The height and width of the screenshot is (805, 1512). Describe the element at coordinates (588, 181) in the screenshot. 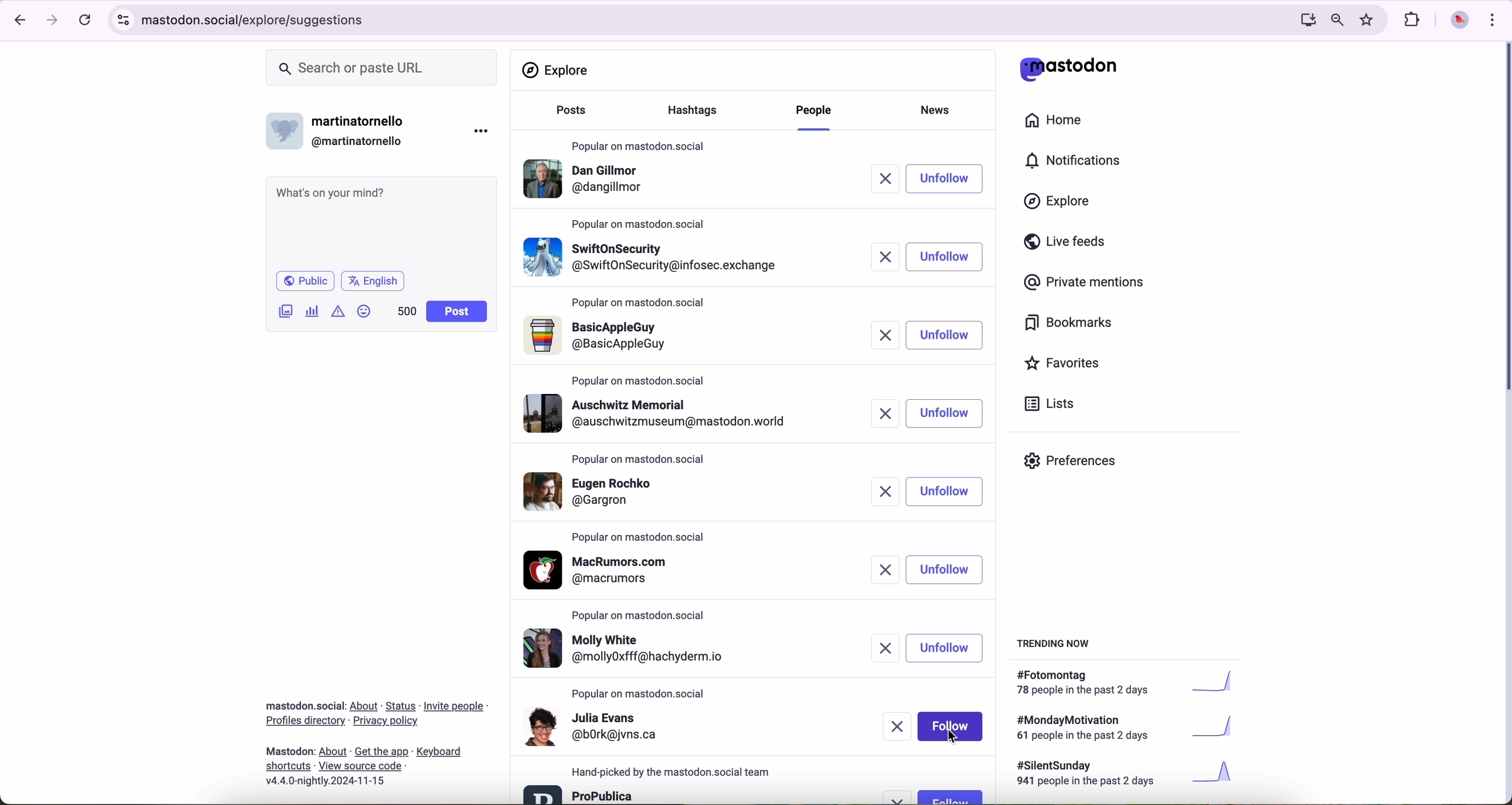

I see `profile` at that location.